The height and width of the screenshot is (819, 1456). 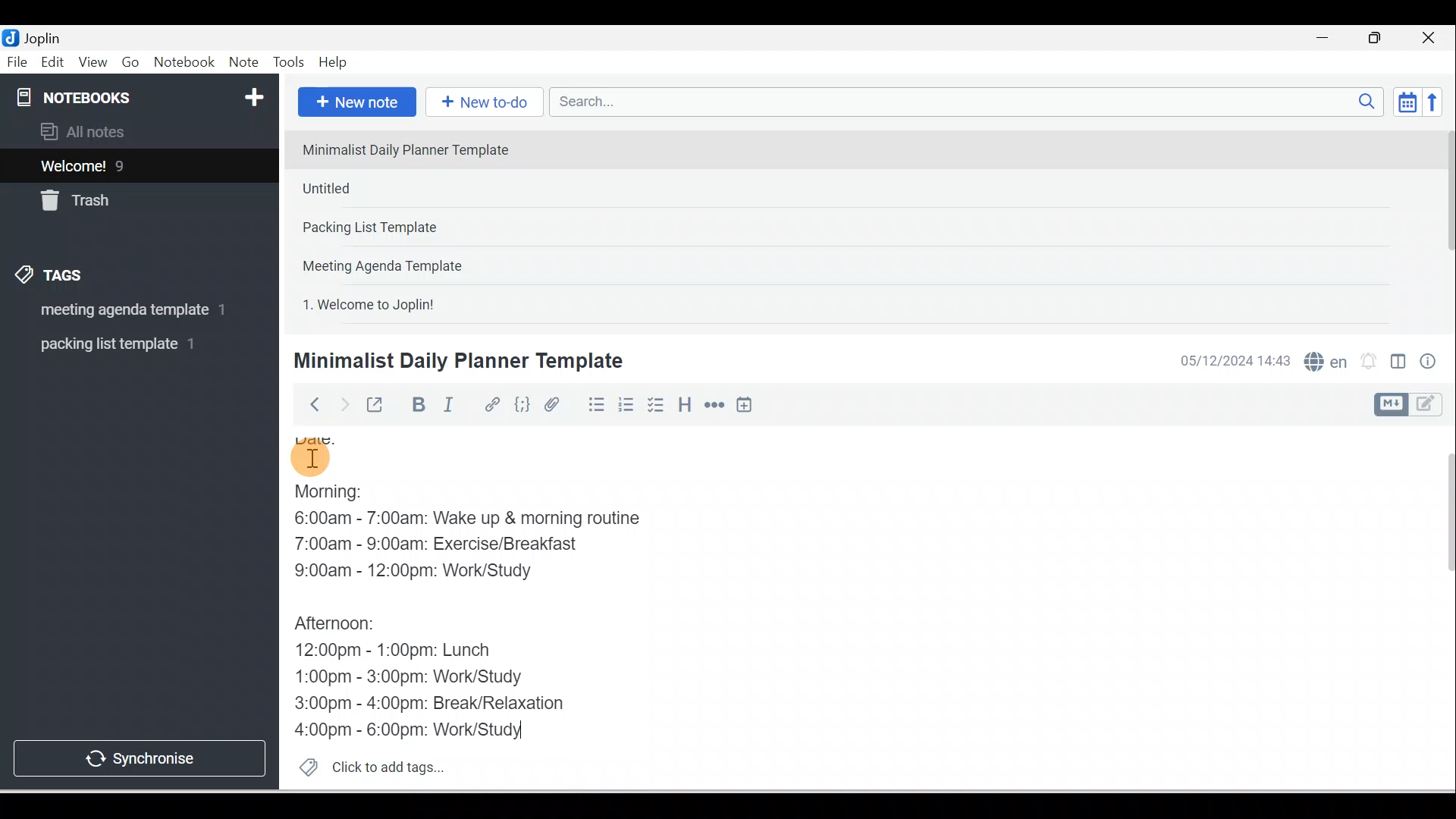 I want to click on Minimise, so click(x=1327, y=39).